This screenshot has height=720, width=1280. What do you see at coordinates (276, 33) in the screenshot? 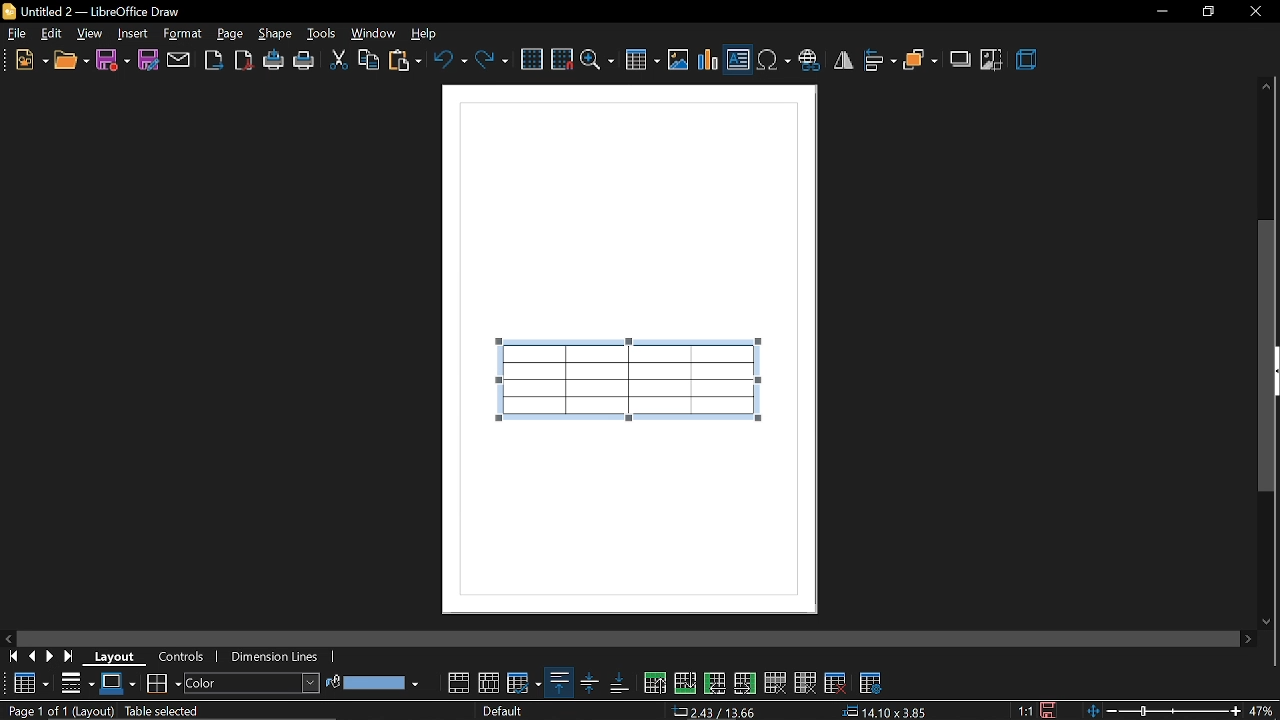
I see `shape` at bounding box center [276, 33].